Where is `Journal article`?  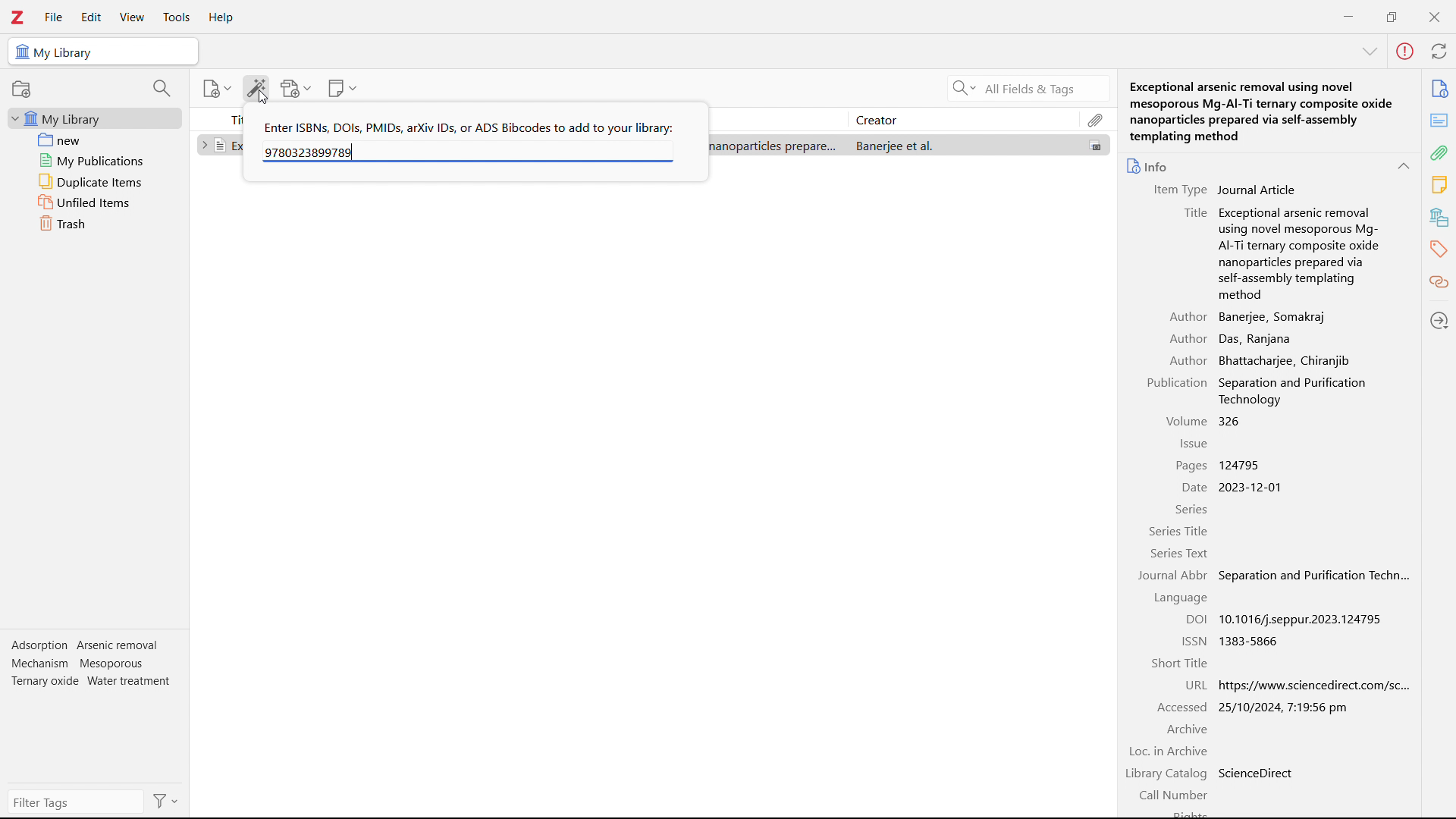
Journal article is located at coordinates (1258, 189).